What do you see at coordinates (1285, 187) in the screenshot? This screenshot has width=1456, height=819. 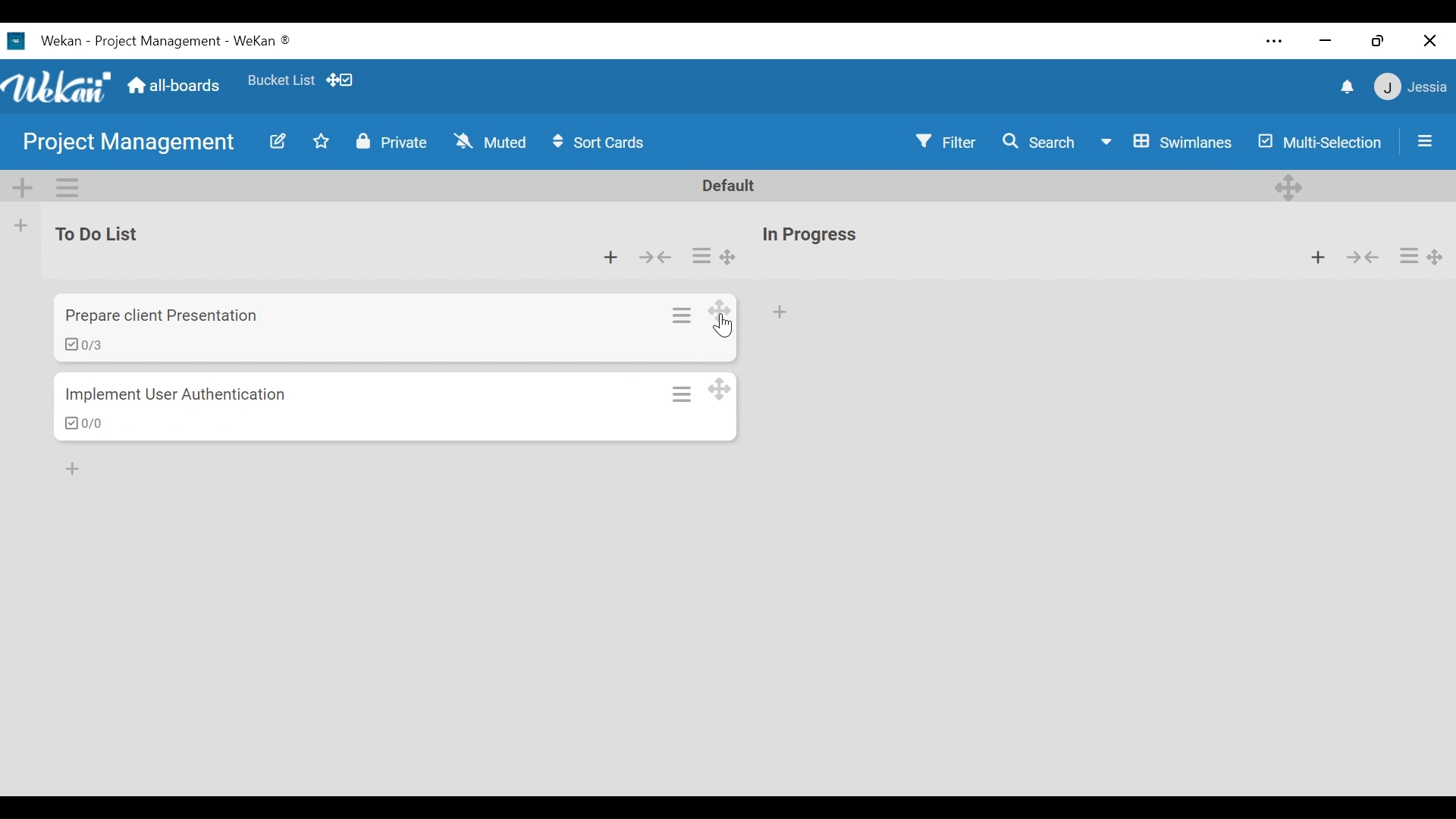 I see `Desktop drag handles` at bounding box center [1285, 187].